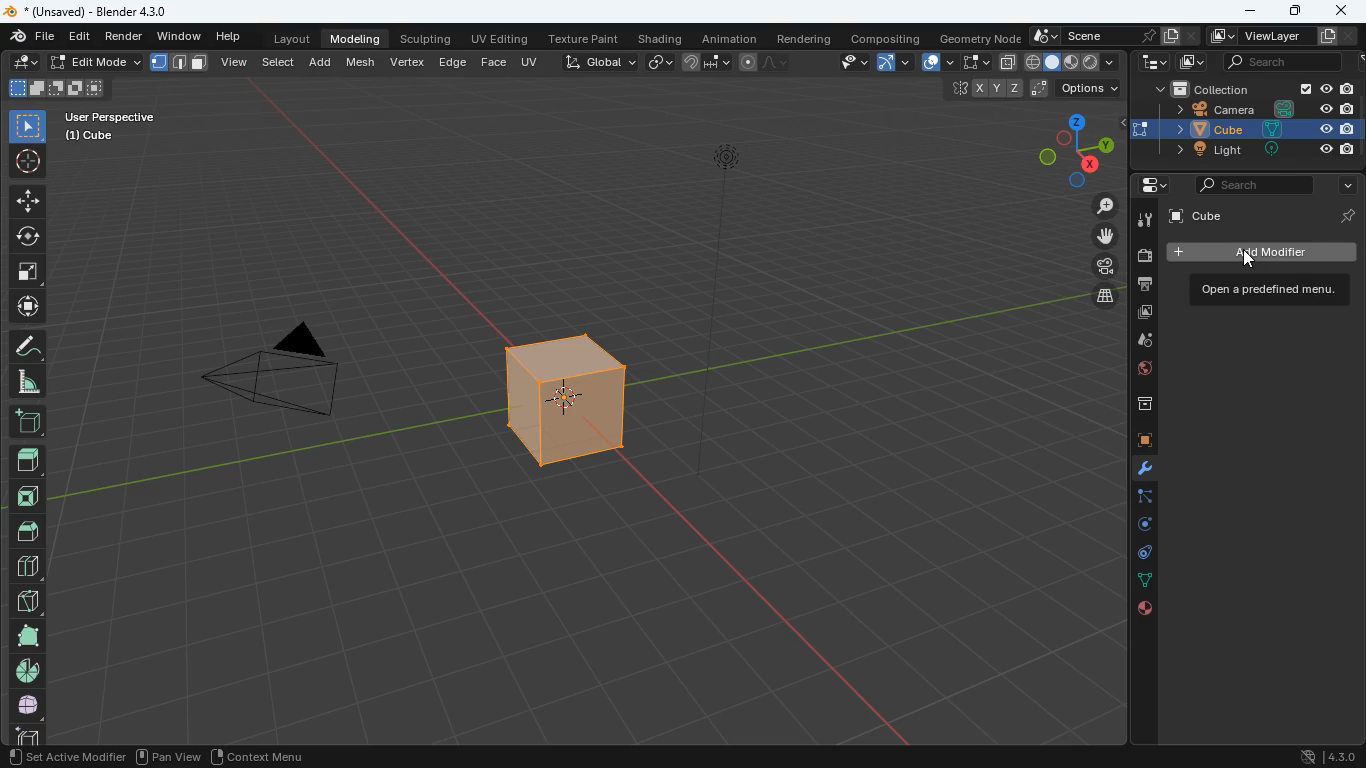 The image size is (1366, 768). Describe the element at coordinates (1347, 186) in the screenshot. I see `more` at that location.